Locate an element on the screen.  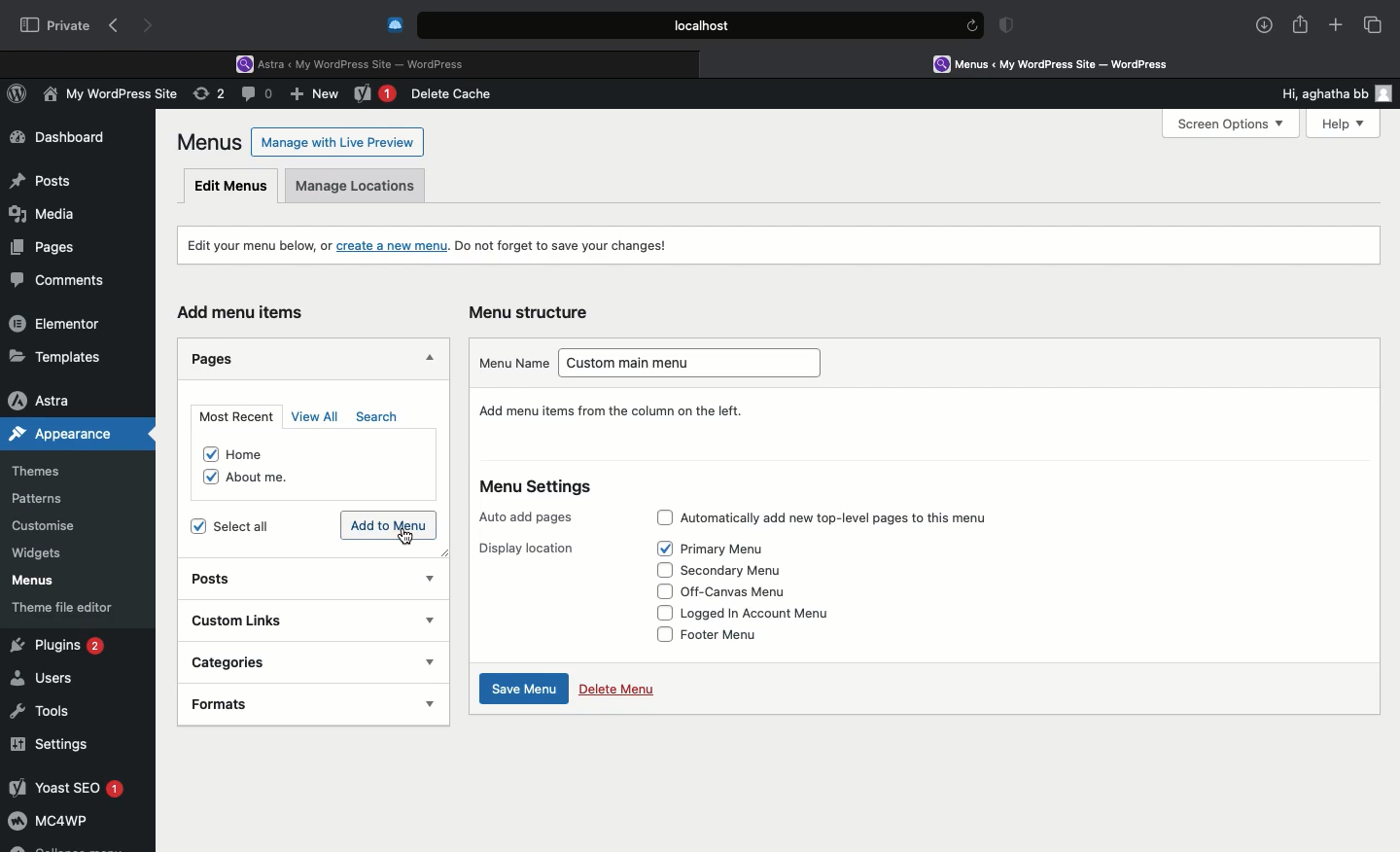
Templates is located at coordinates (56, 356).